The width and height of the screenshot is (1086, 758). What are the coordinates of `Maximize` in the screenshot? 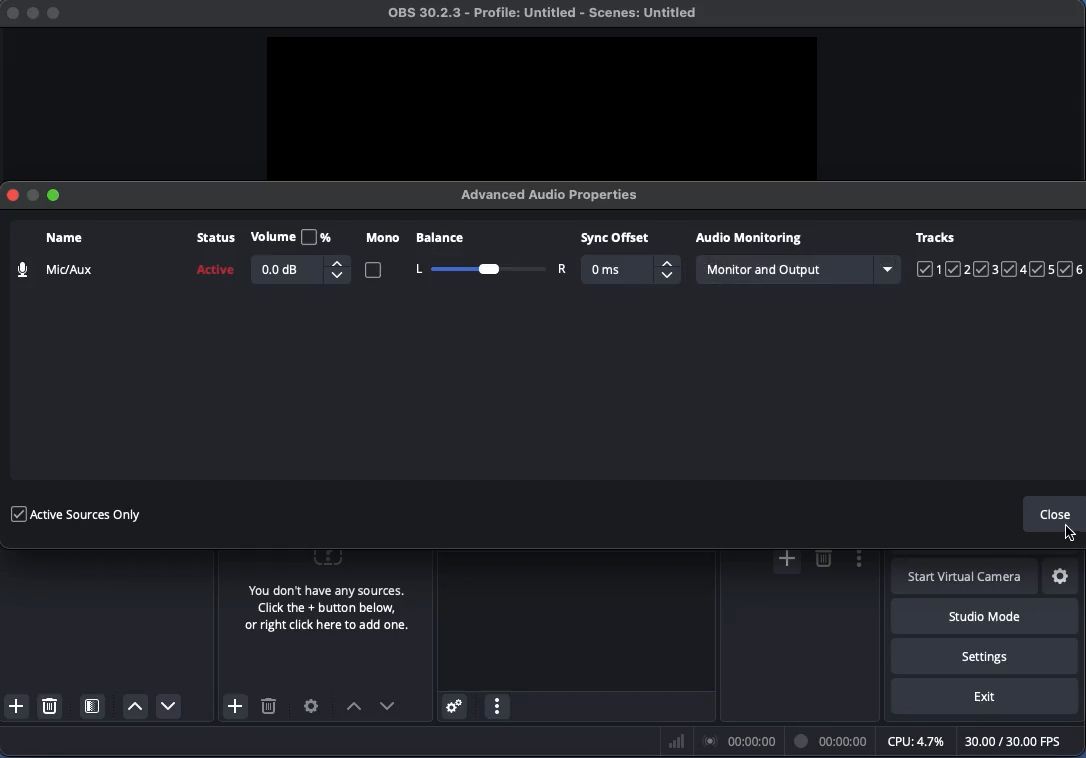 It's located at (57, 194).